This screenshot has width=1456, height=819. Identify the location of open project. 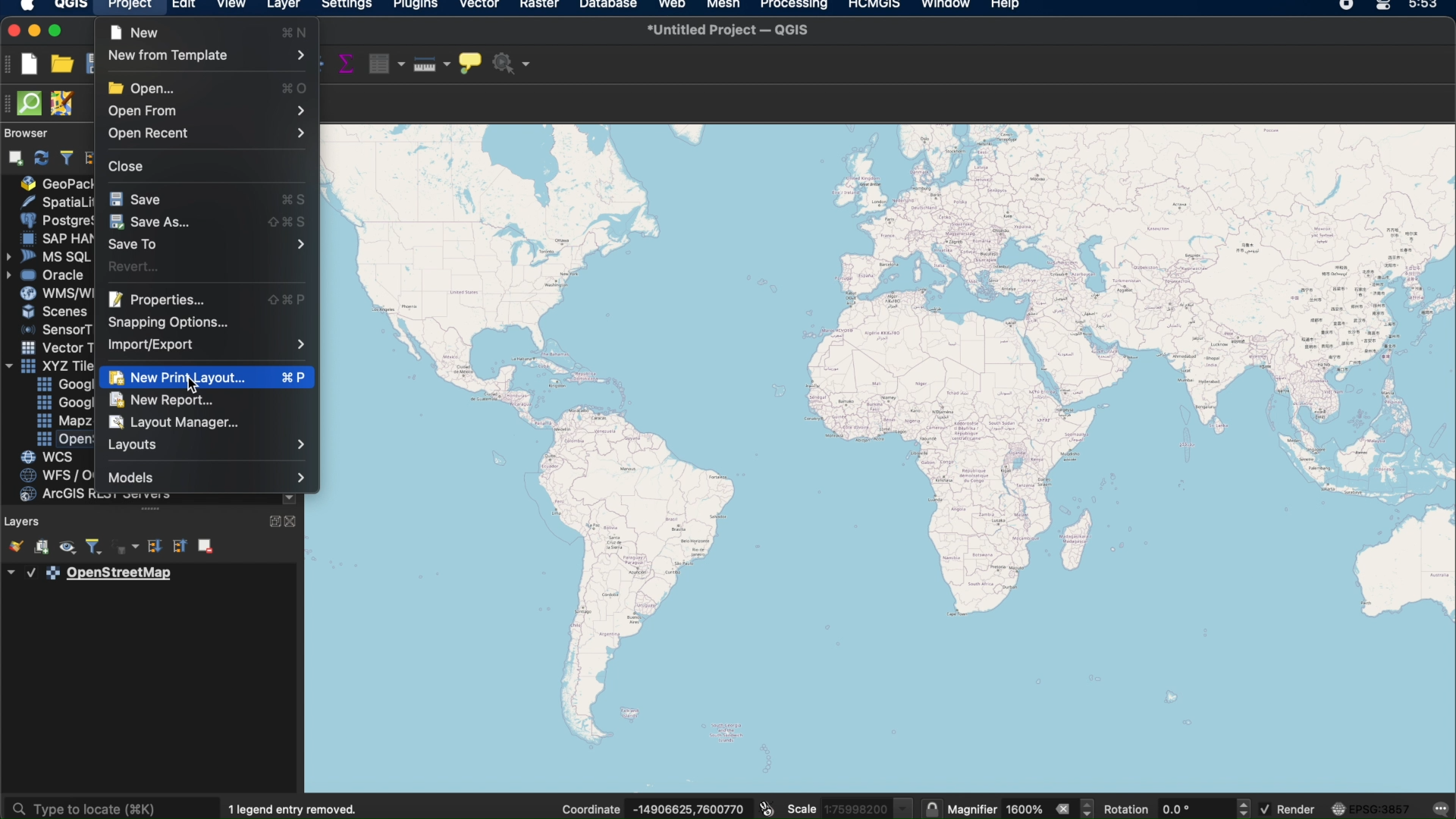
(60, 65).